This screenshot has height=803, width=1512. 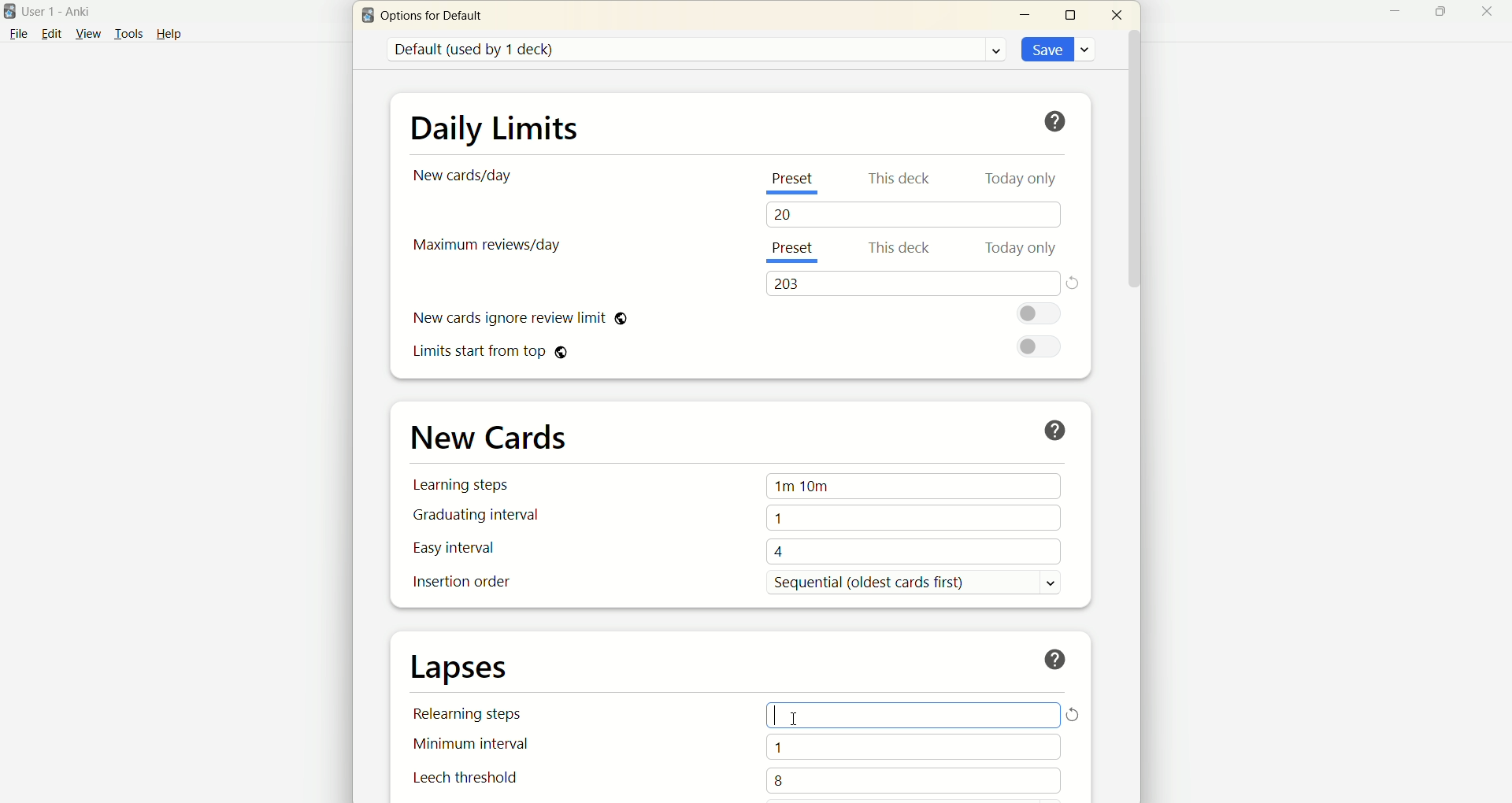 I want to click on , so click(x=916, y=716).